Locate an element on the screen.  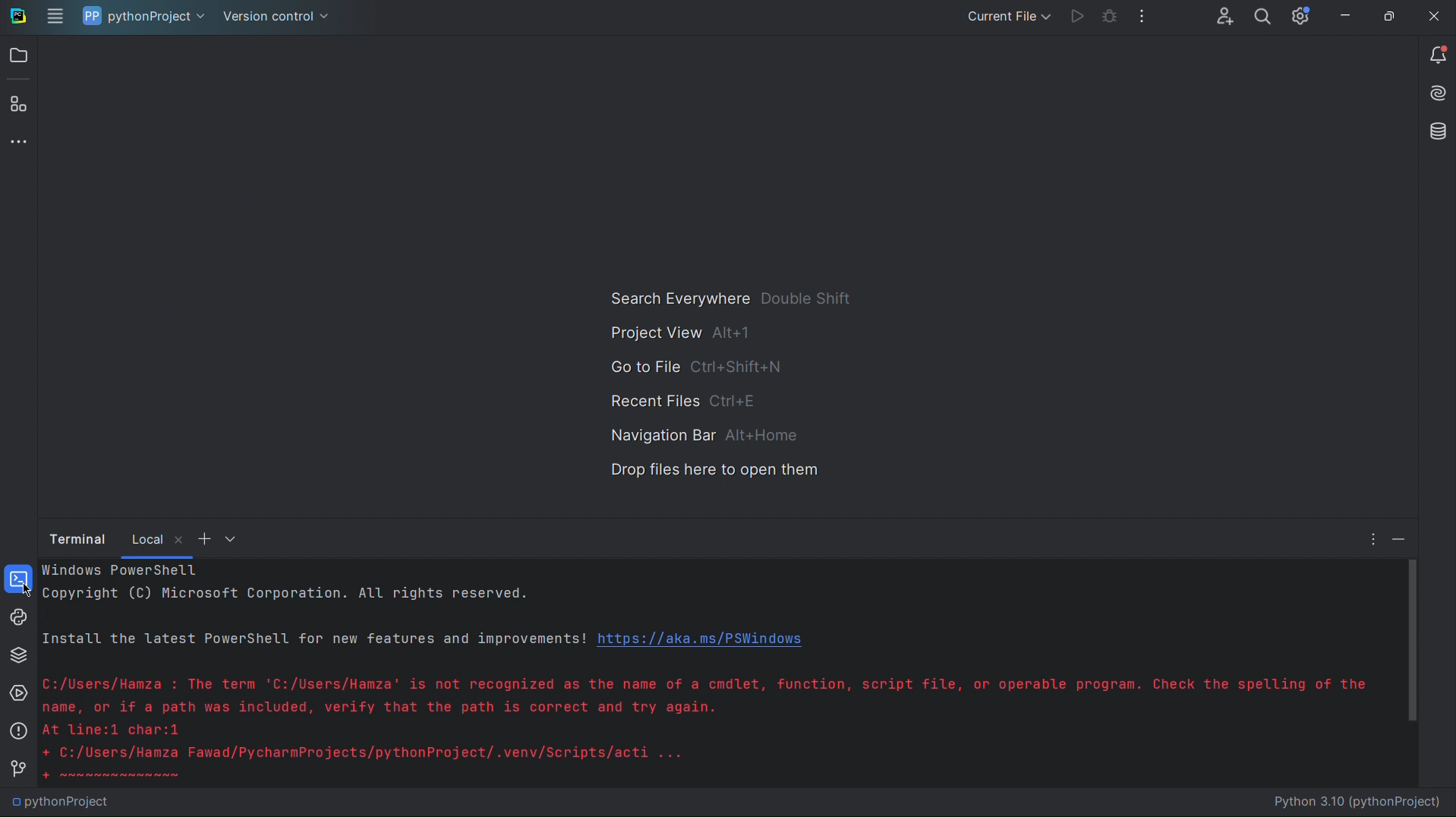
Logo is located at coordinates (20, 17).